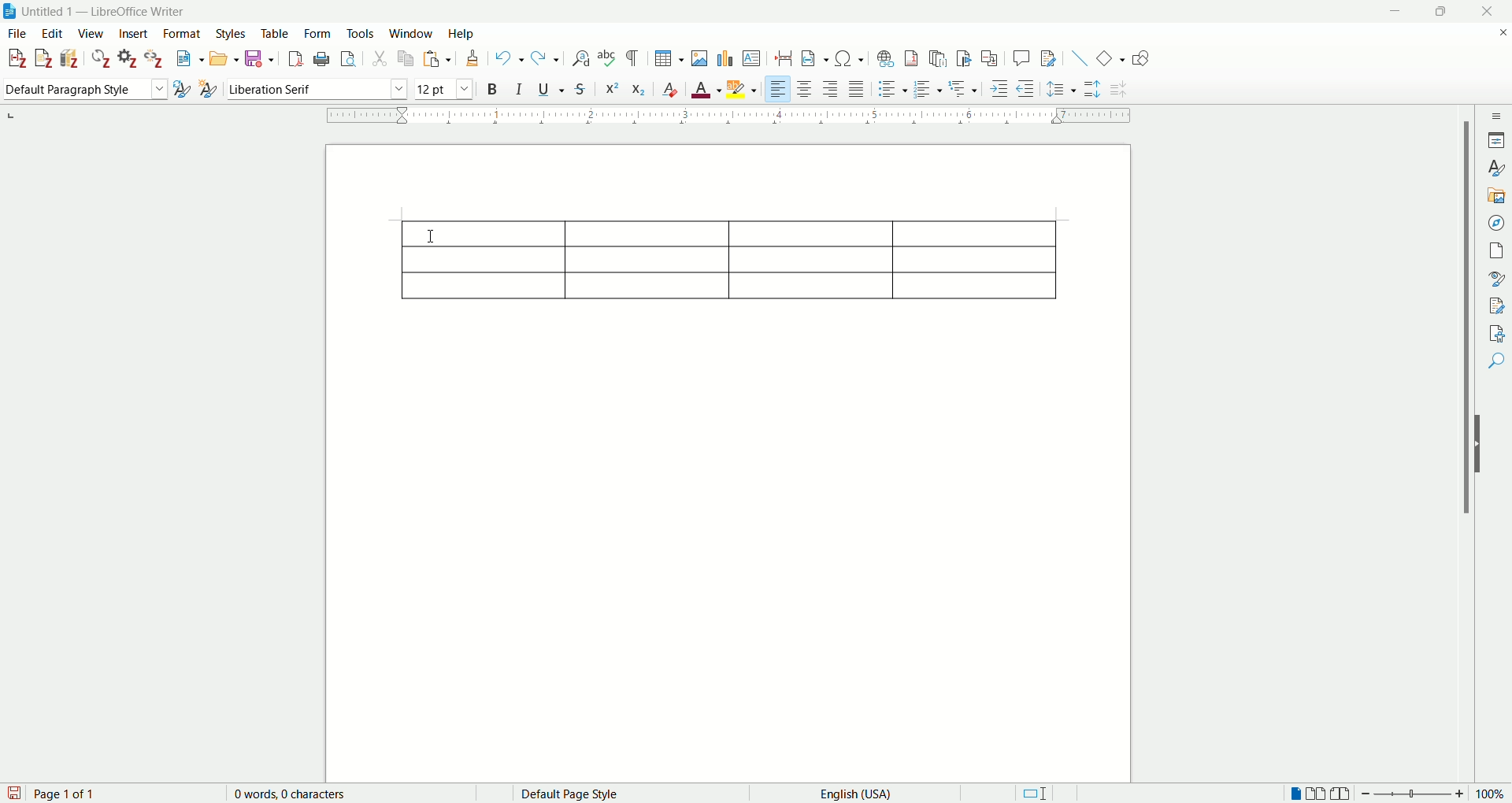 The image size is (1512, 803). Describe the element at coordinates (469, 59) in the screenshot. I see `clone formatting` at that location.